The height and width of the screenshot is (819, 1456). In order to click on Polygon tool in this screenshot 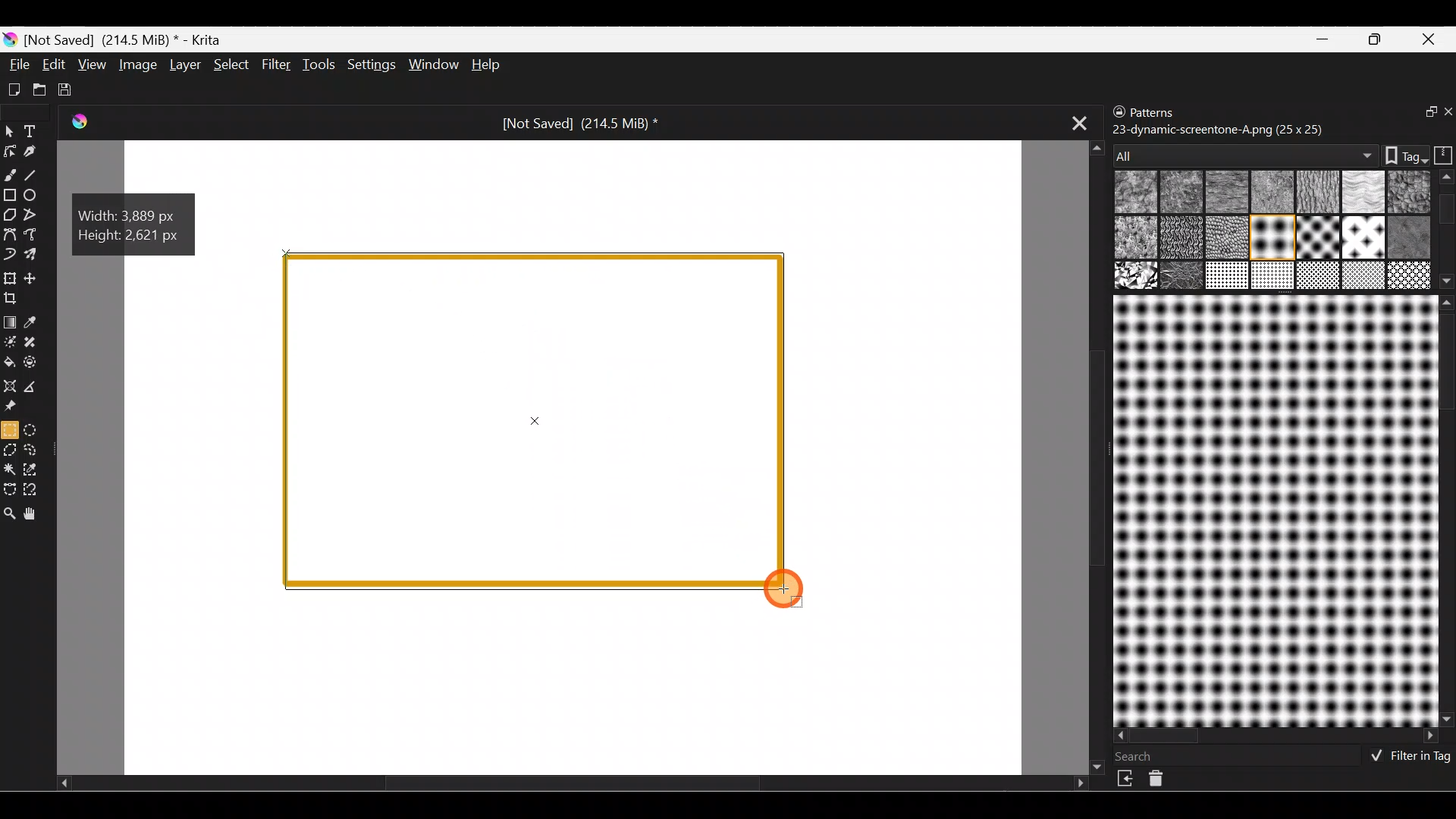, I will do `click(9, 212)`.